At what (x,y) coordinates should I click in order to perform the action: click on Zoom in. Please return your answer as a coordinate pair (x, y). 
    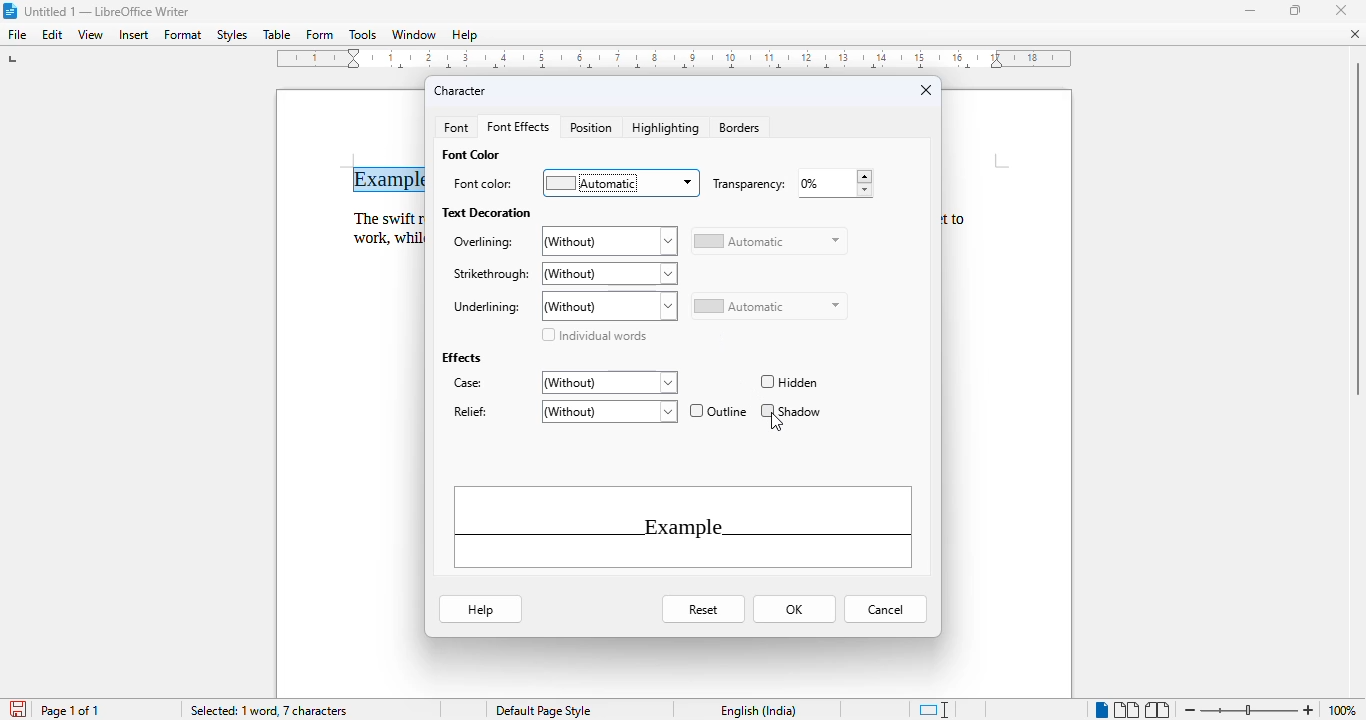
    Looking at the image, I should click on (1310, 707).